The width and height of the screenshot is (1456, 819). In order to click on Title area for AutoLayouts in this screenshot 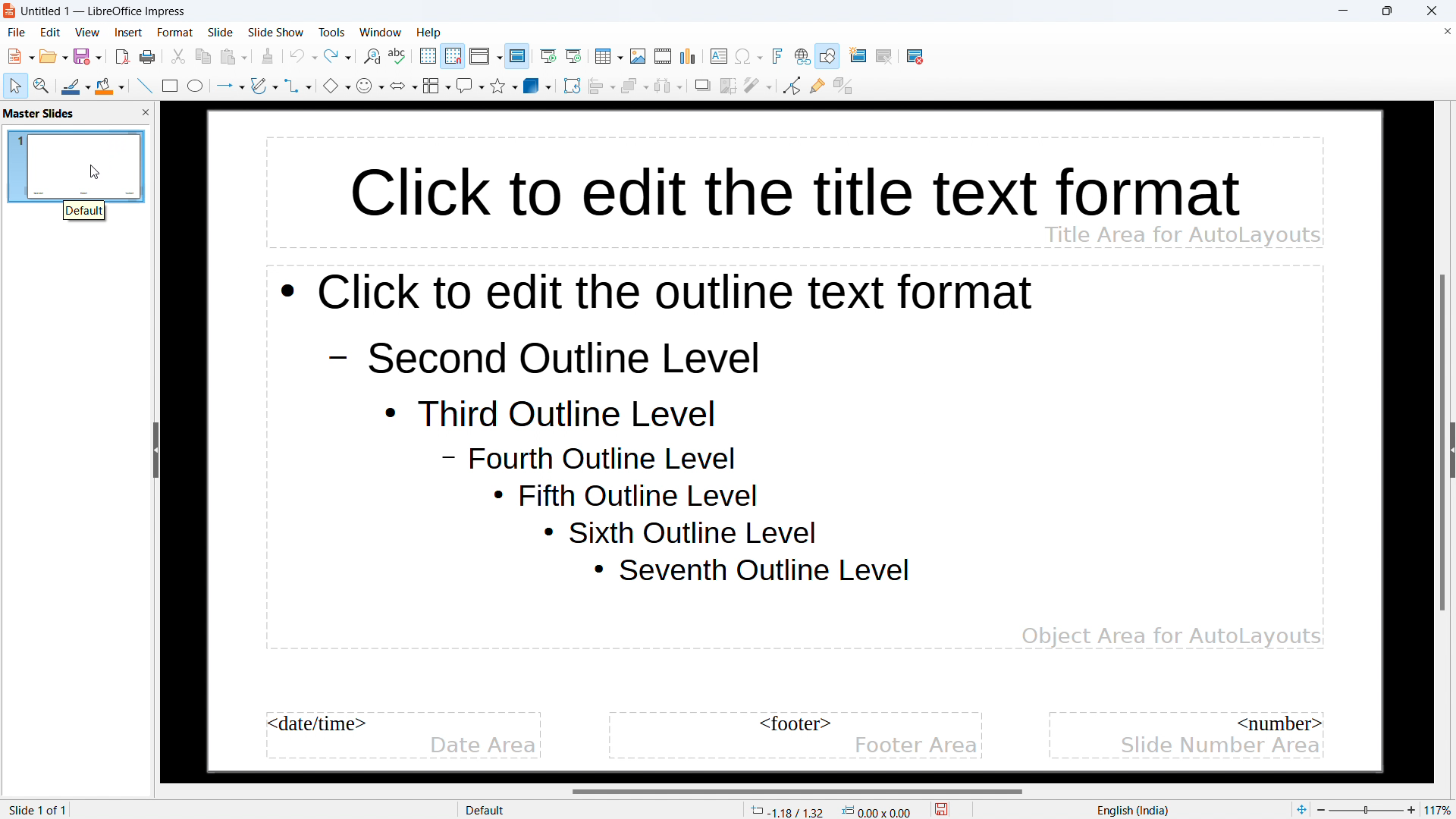, I will do `click(1182, 234)`.